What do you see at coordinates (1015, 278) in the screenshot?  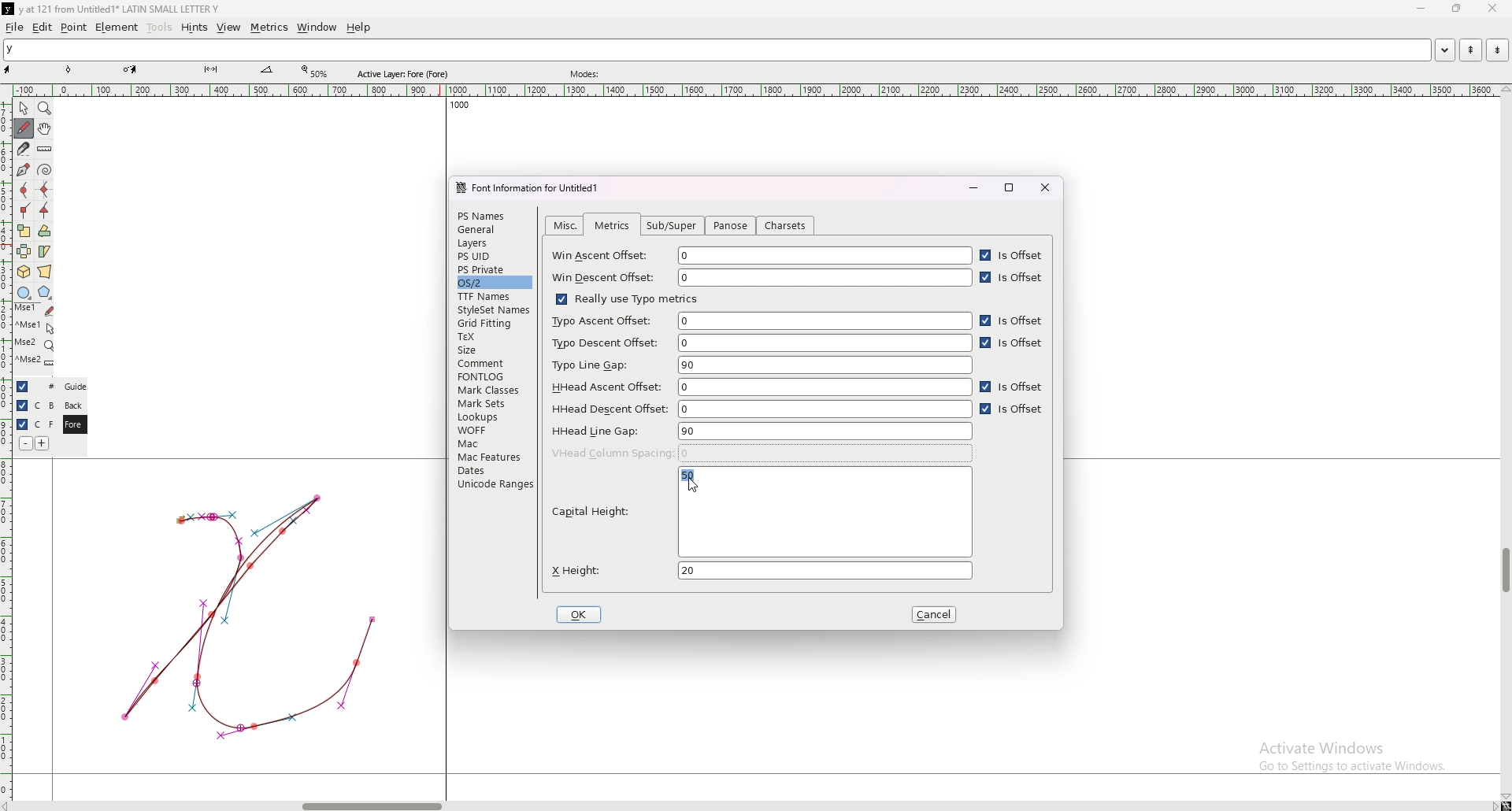 I see `is offset` at bounding box center [1015, 278].